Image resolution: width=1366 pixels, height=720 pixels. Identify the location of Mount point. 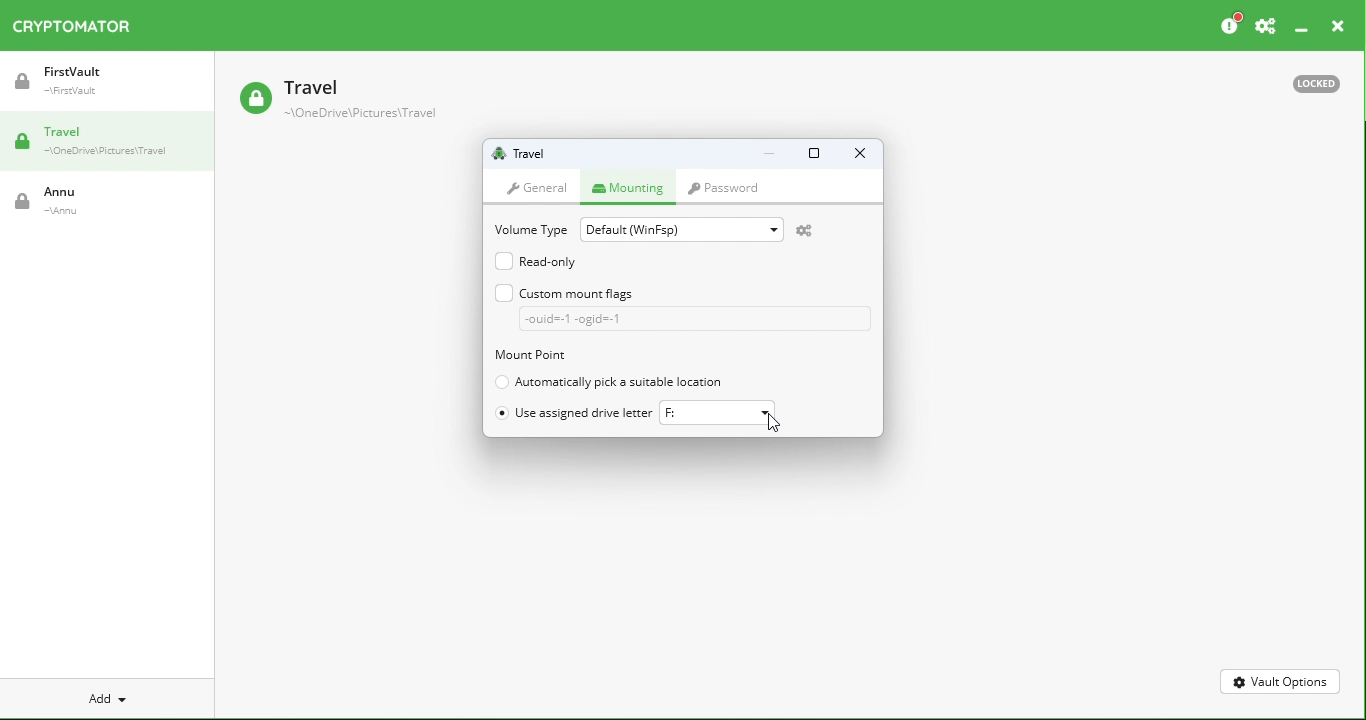
(556, 356).